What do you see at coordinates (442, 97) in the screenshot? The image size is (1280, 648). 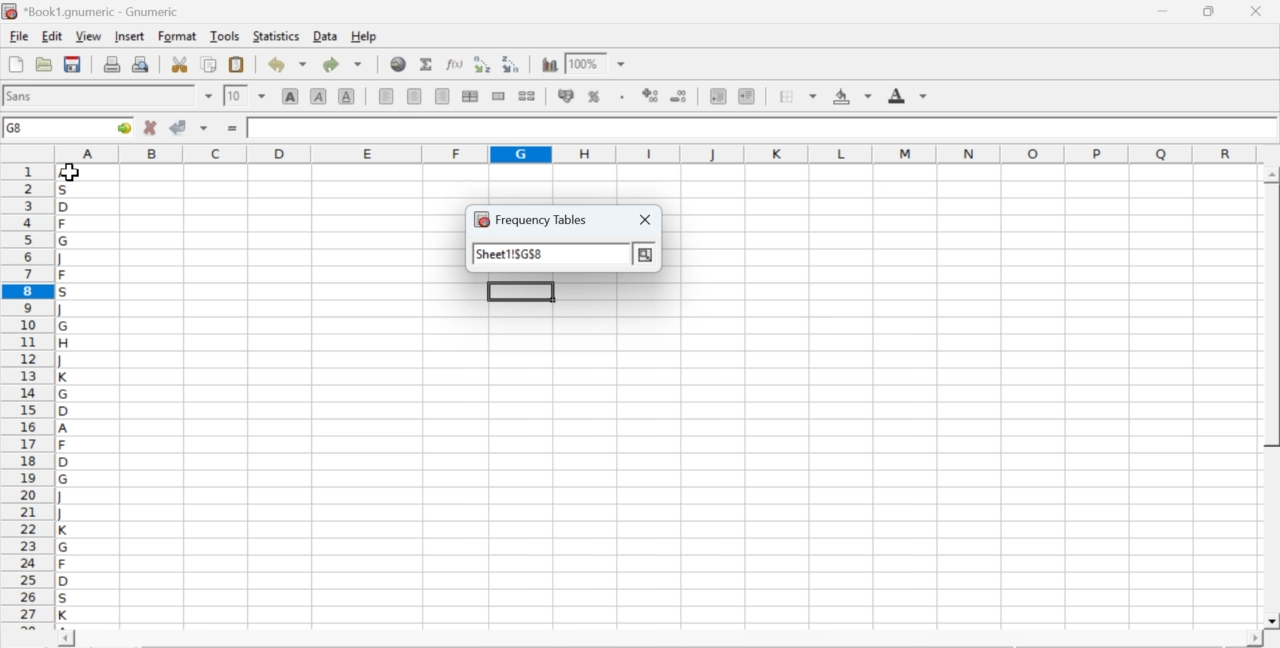 I see `align right` at bounding box center [442, 97].